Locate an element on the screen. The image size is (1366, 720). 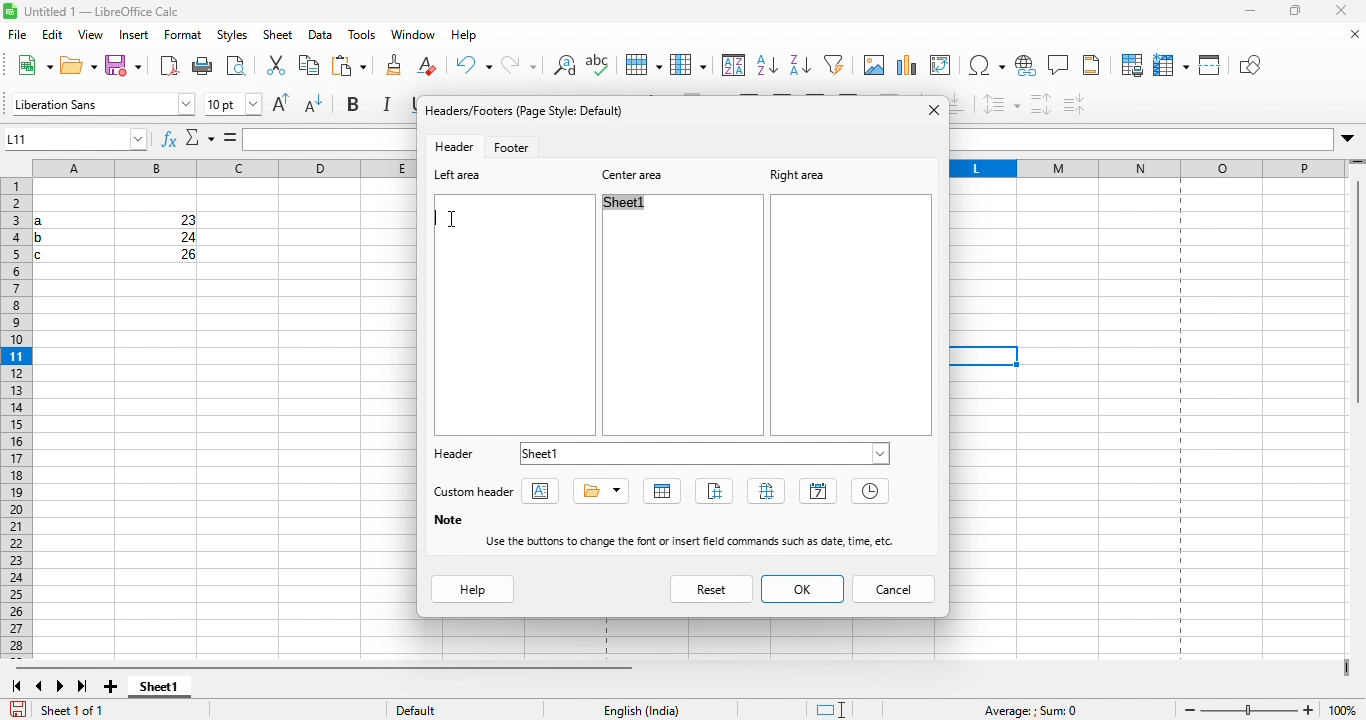
select function is located at coordinates (201, 141).